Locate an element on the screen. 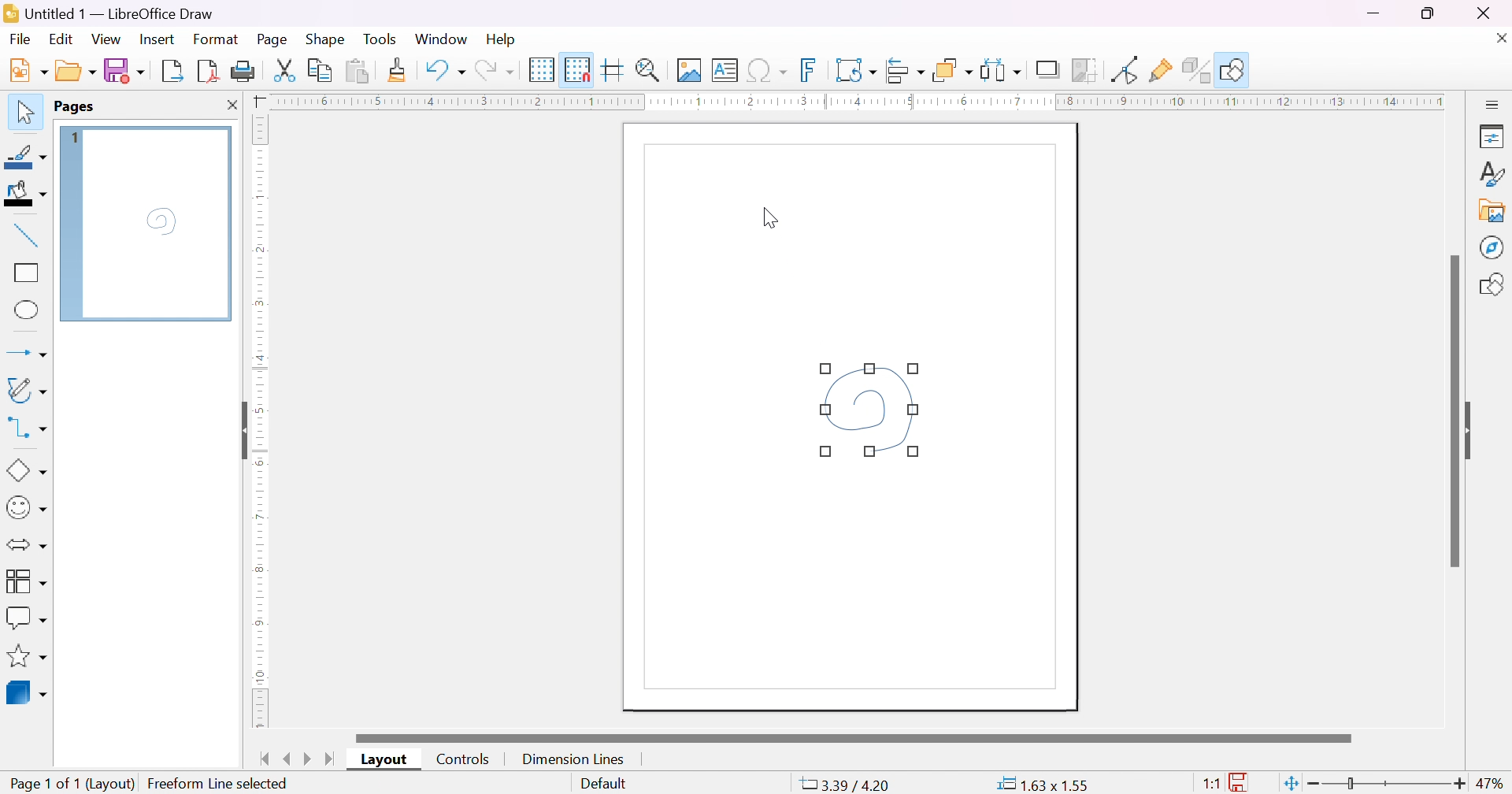 This screenshot has height=794, width=1512. 47% is located at coordinates (1492, 785).